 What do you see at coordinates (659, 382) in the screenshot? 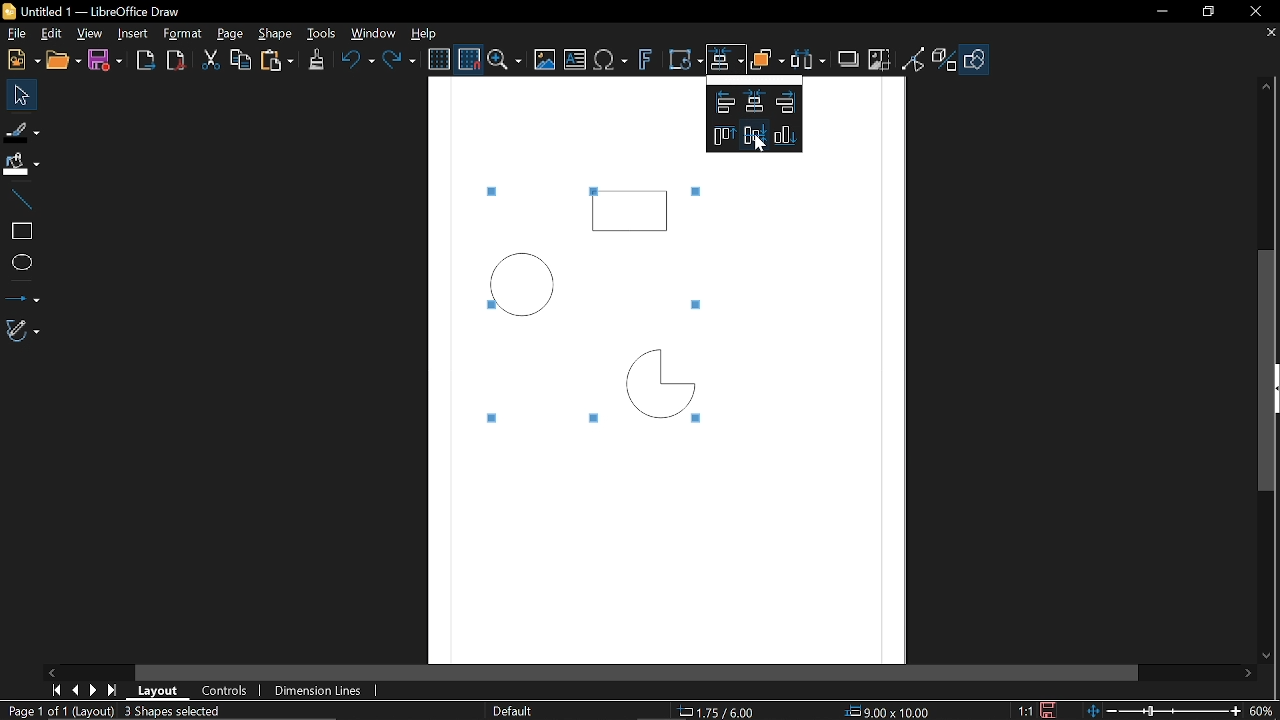
I see `Quarter Circle` at bounding box center [659, 382].